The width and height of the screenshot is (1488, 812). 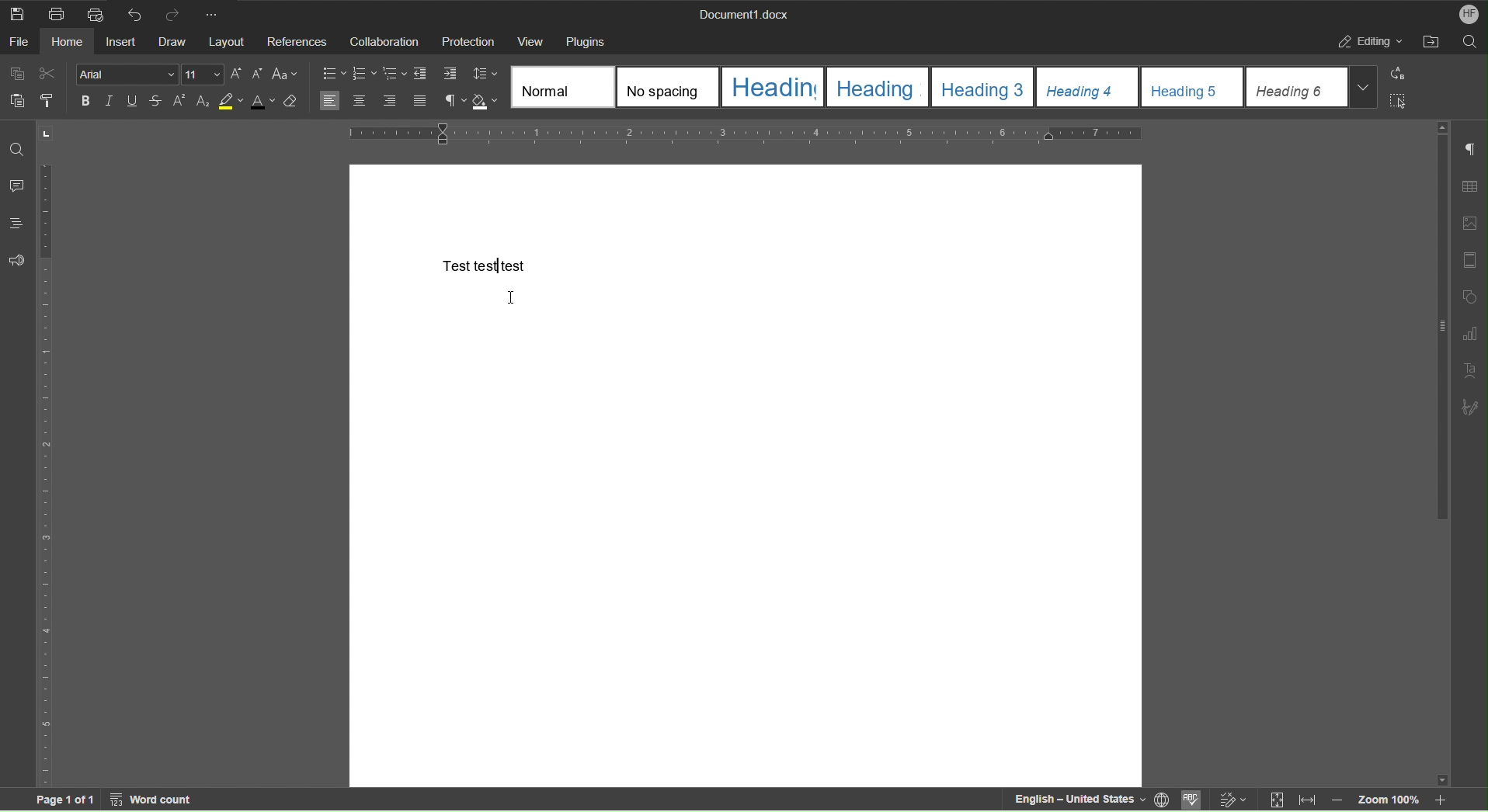 What do you see at coordinates (419, 102) in the screenshot?
I see `Justify` at bounding box center [419, 102].